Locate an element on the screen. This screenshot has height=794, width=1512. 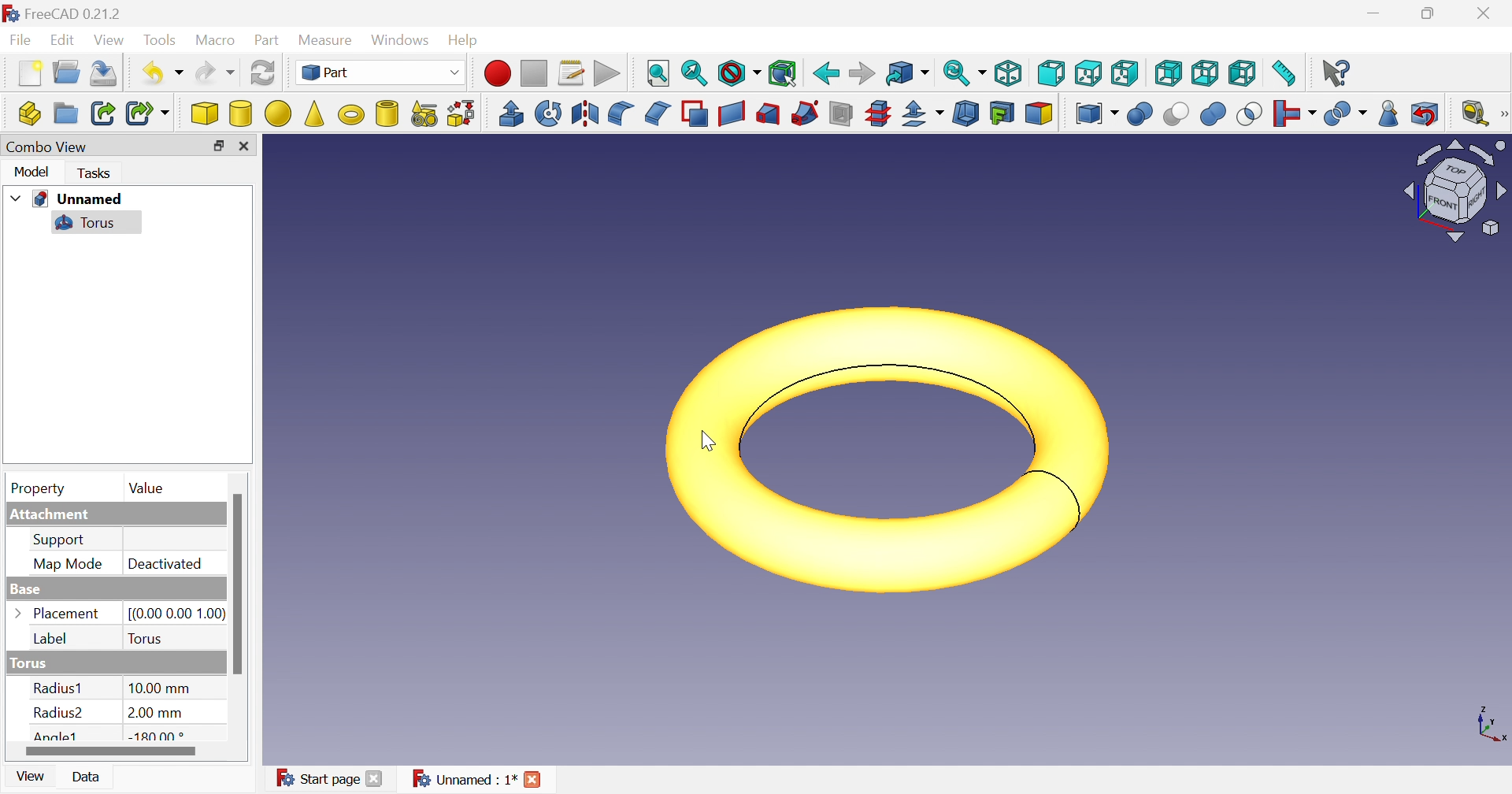
Viewing angle is located at coordinates (1454, 191).